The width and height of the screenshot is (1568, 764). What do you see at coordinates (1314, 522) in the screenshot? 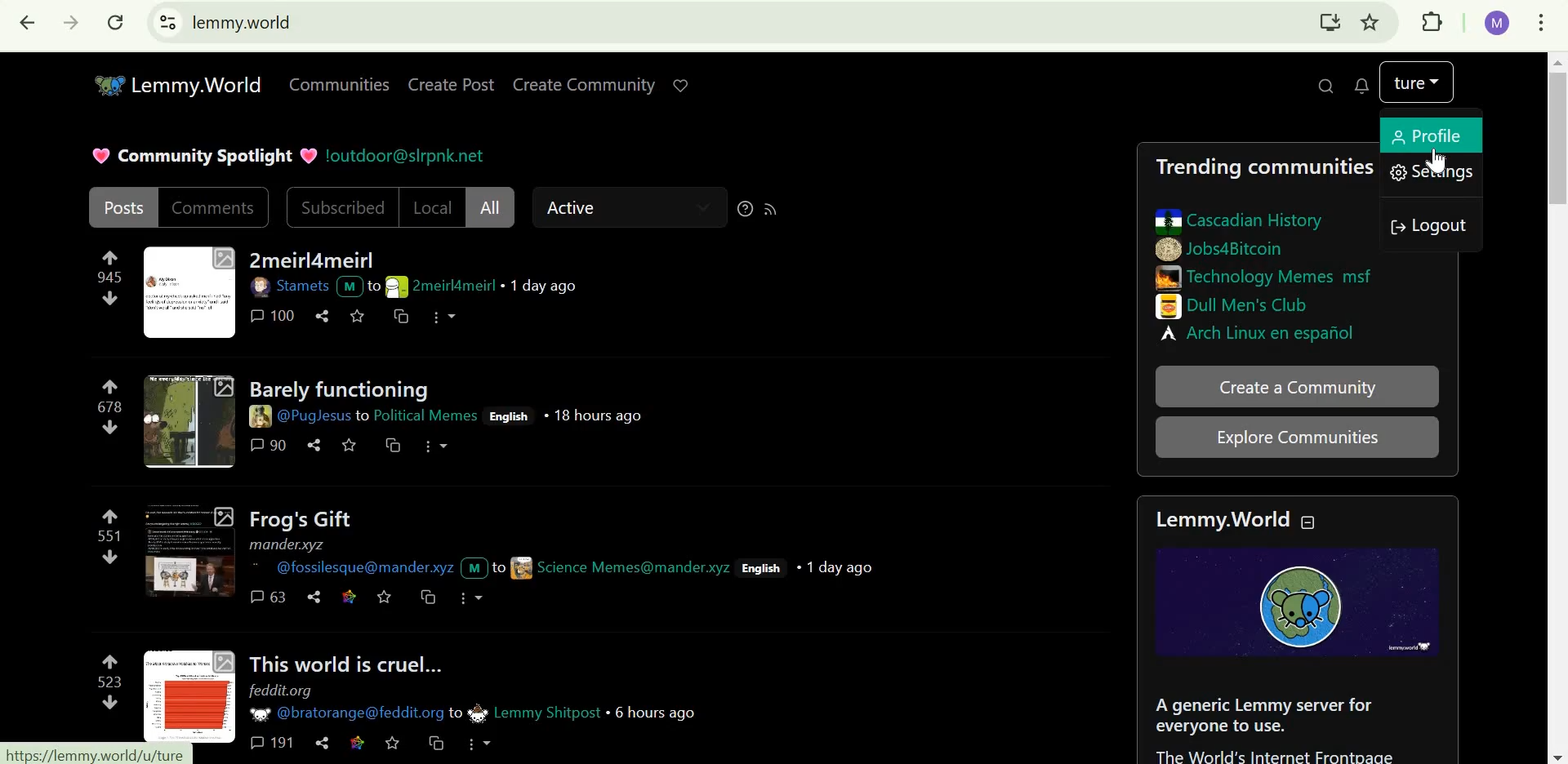
I see `collapse` at bounding box center [1314, 522].